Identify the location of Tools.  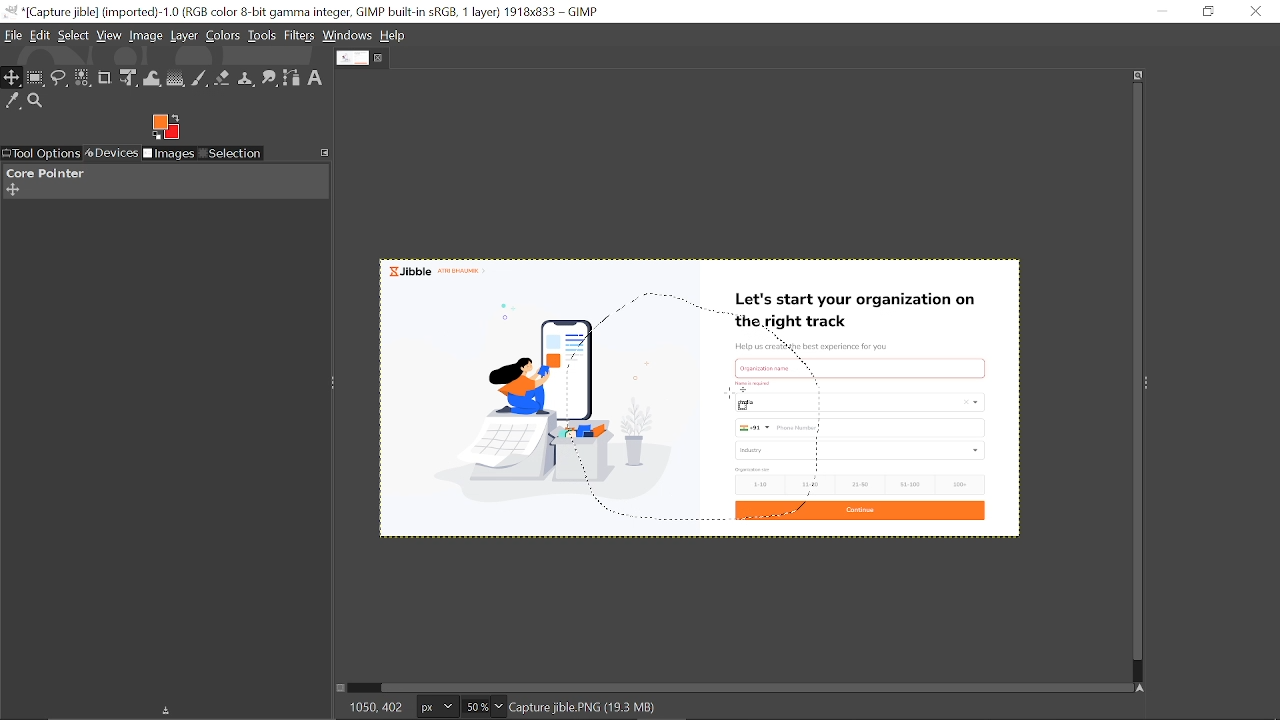
(262, 35).